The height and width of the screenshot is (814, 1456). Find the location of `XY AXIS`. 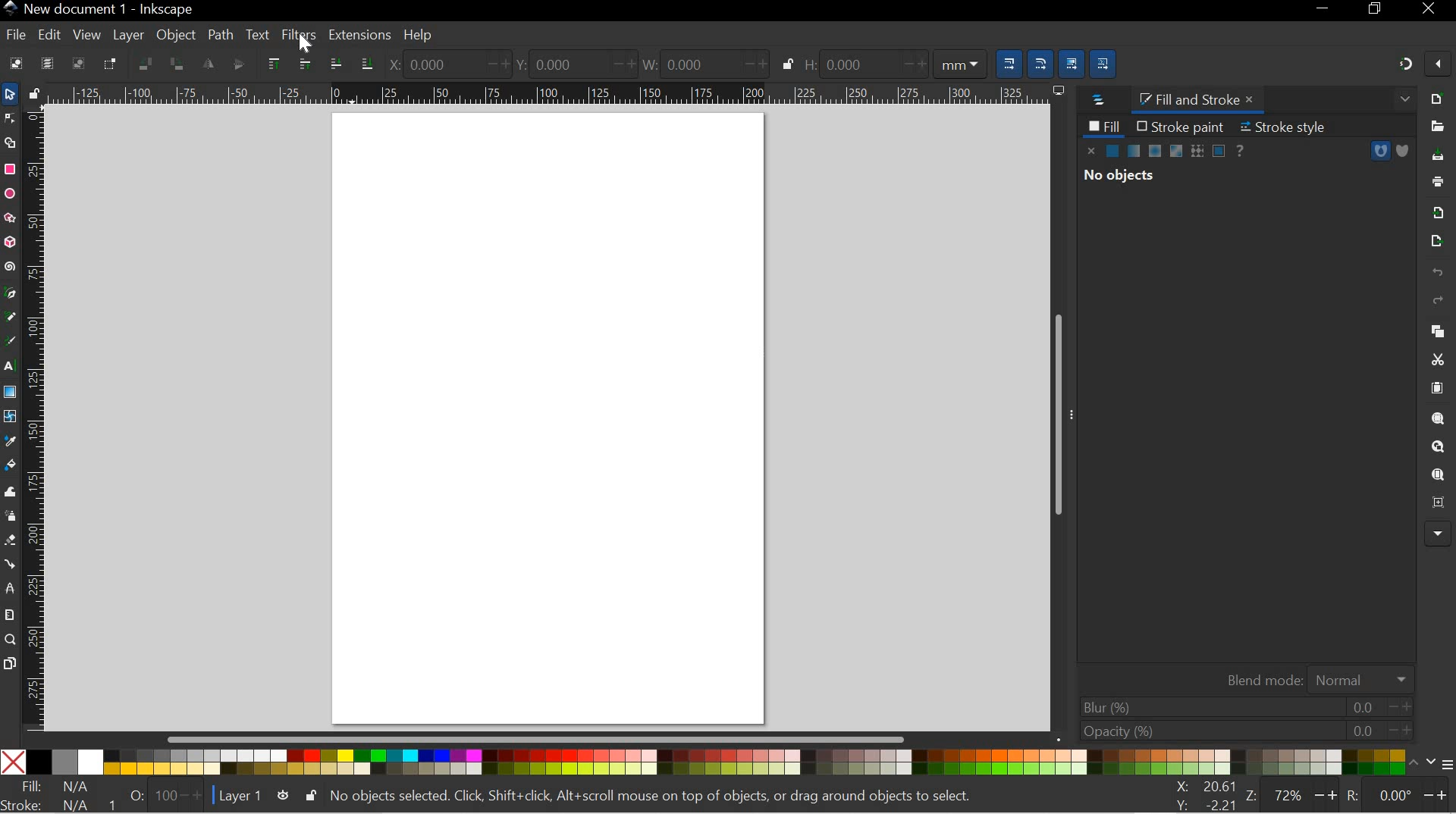

XY AXIS is located at coordinates (1206, 795).